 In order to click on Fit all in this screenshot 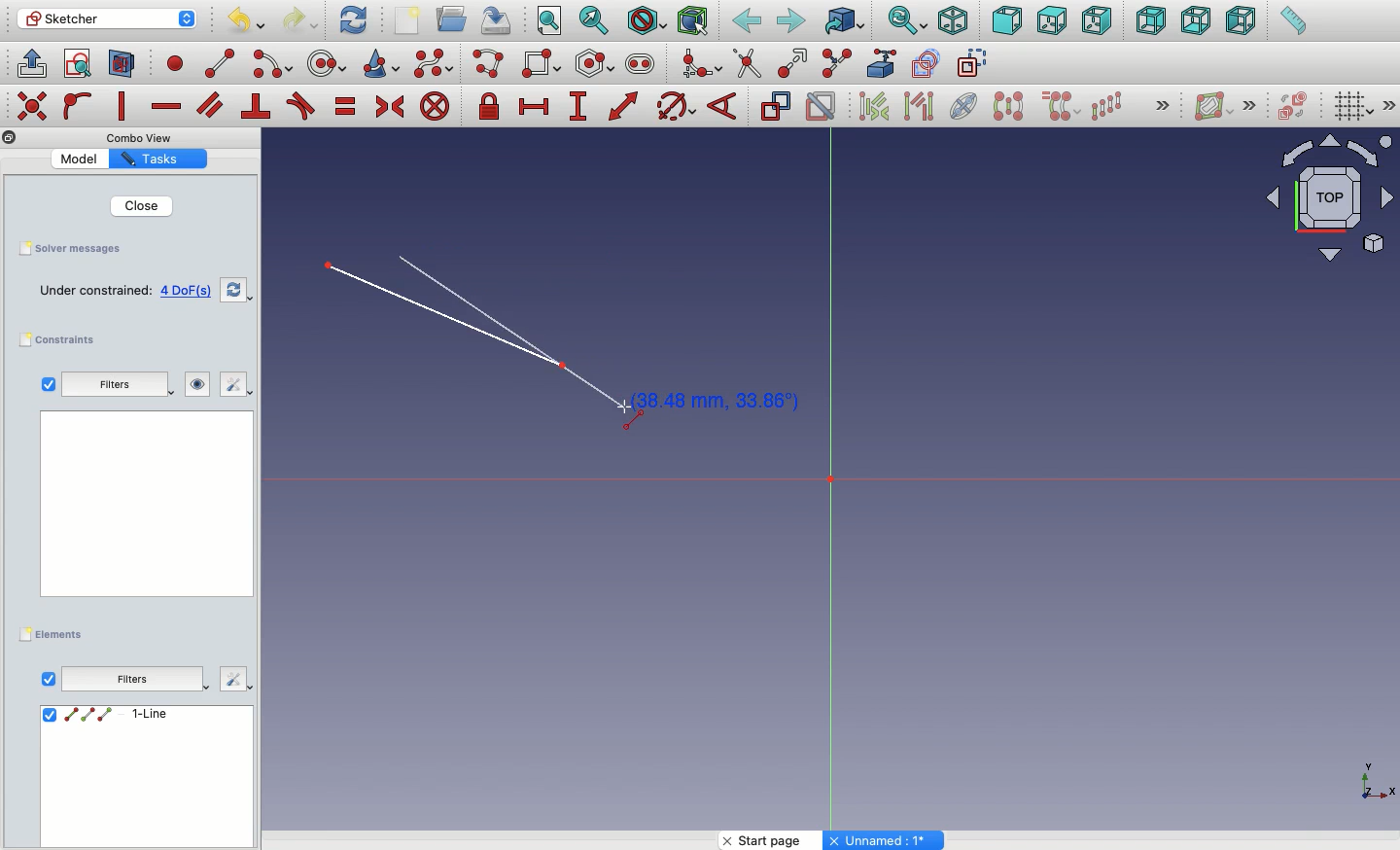, I will do `click(551, 21)`.